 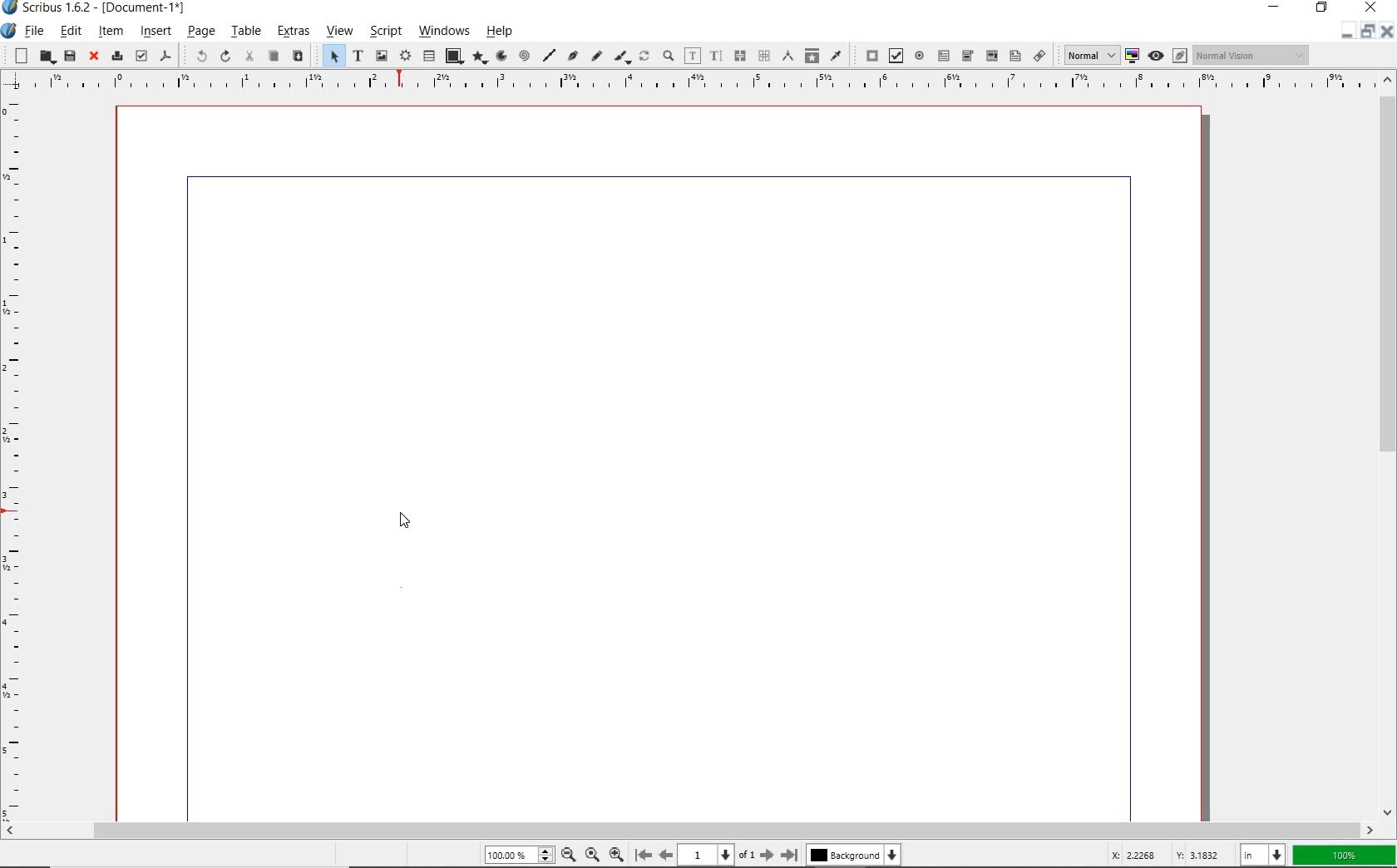 What do you see at coordinates (595, 57) in the screenshot?
I see `freehand line` at bounding box center [595, 57].